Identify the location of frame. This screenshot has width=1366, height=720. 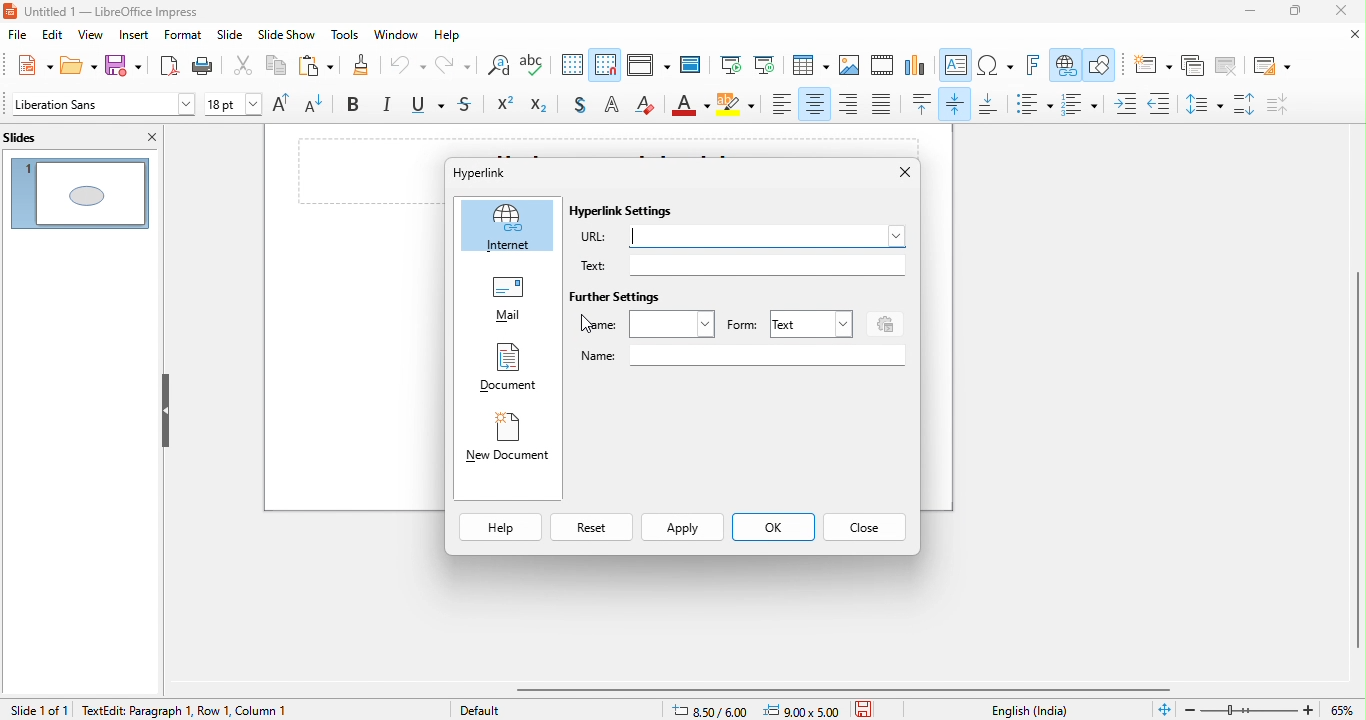
(648, 324).